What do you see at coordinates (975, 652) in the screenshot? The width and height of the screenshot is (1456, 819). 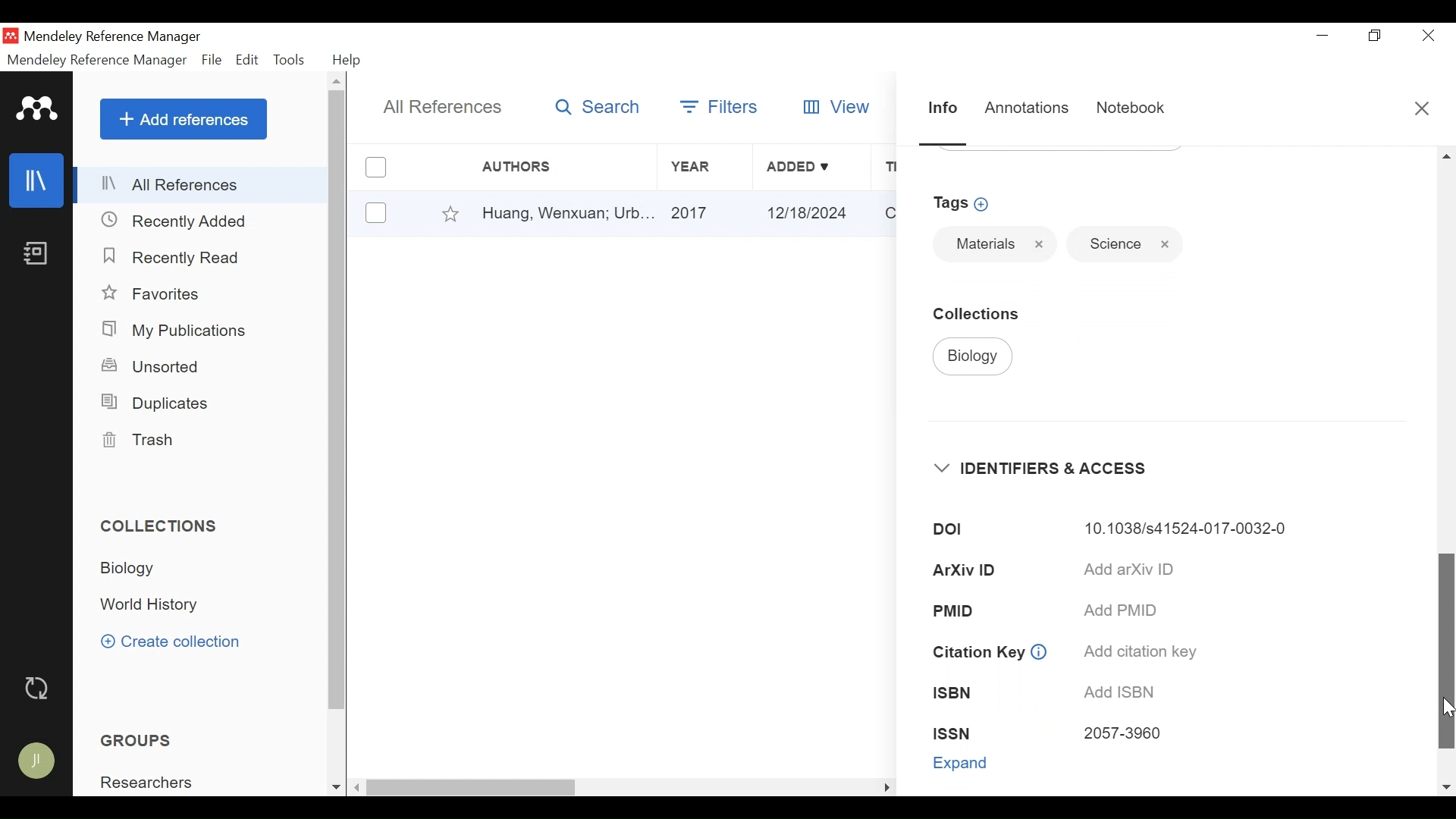 I see `Citation Key` at bounding box center [975, 652].